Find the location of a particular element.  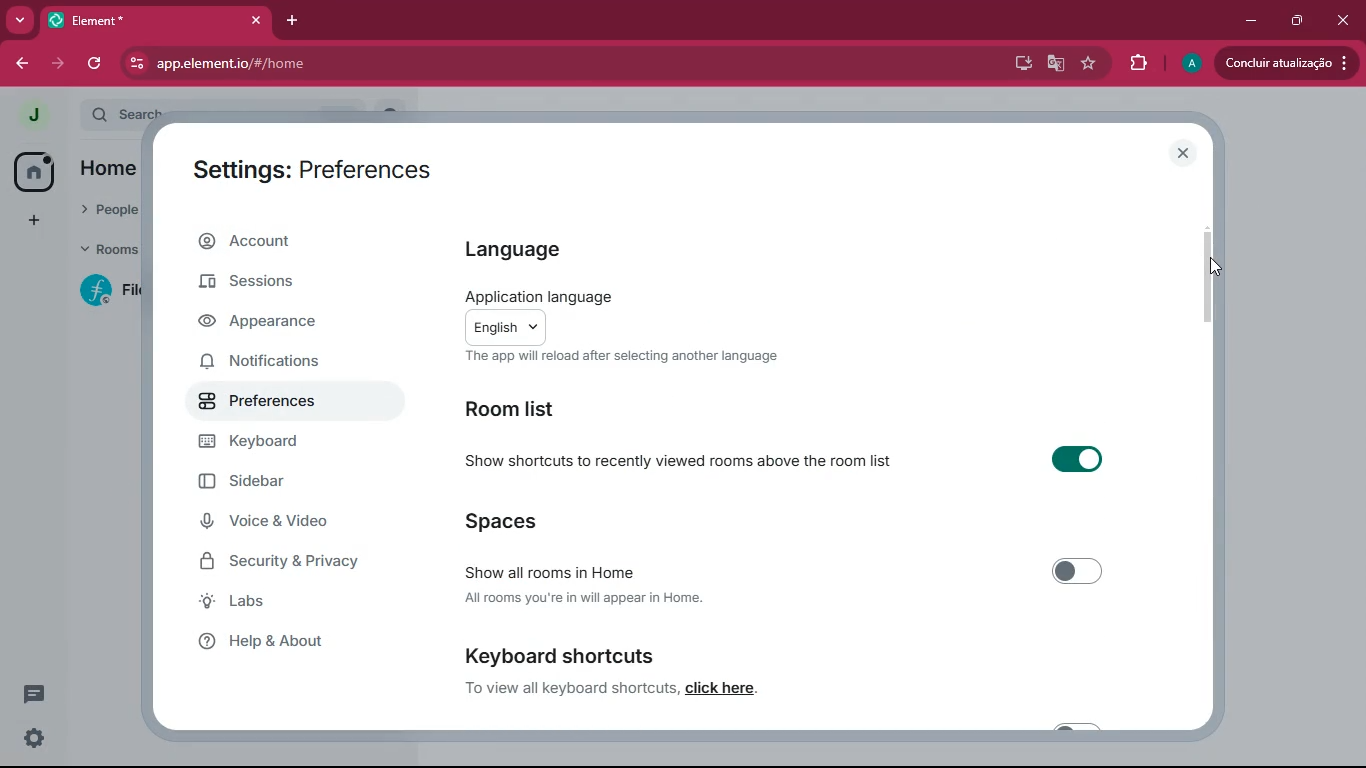

profile picture is located at coordinates (1192, 63).